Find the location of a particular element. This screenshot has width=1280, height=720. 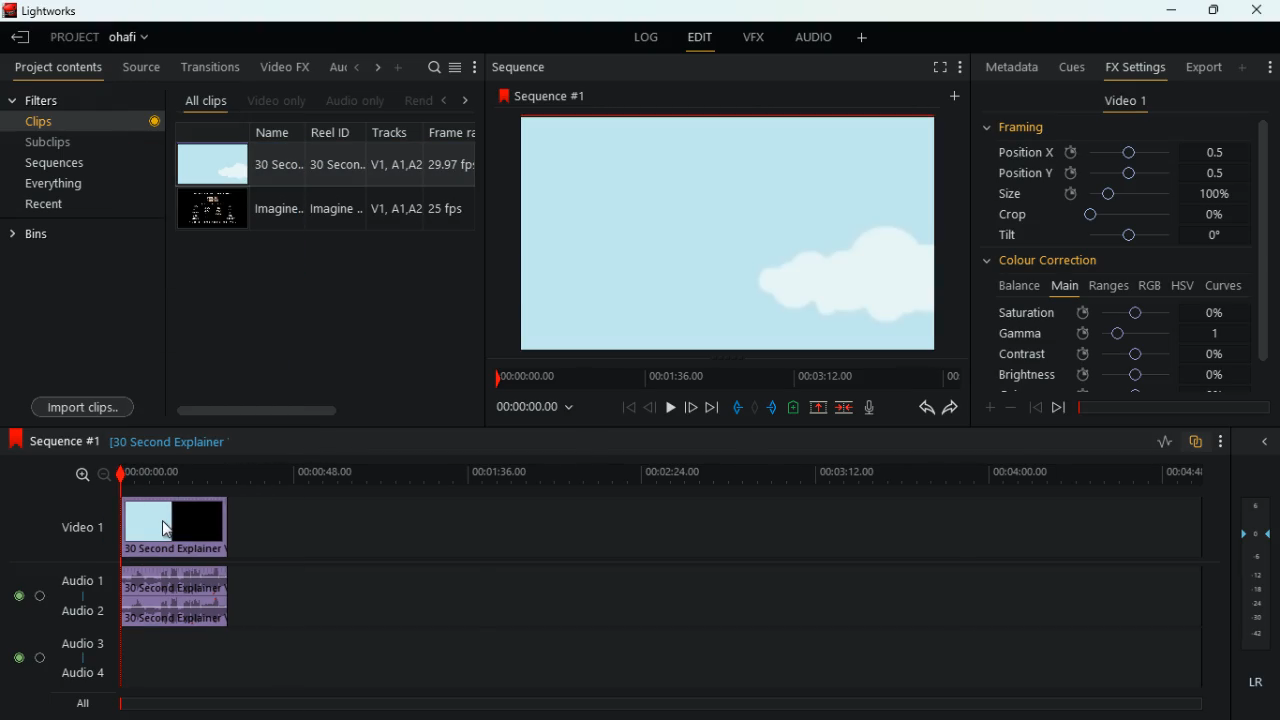

 is located at coordinates (1115, 237).